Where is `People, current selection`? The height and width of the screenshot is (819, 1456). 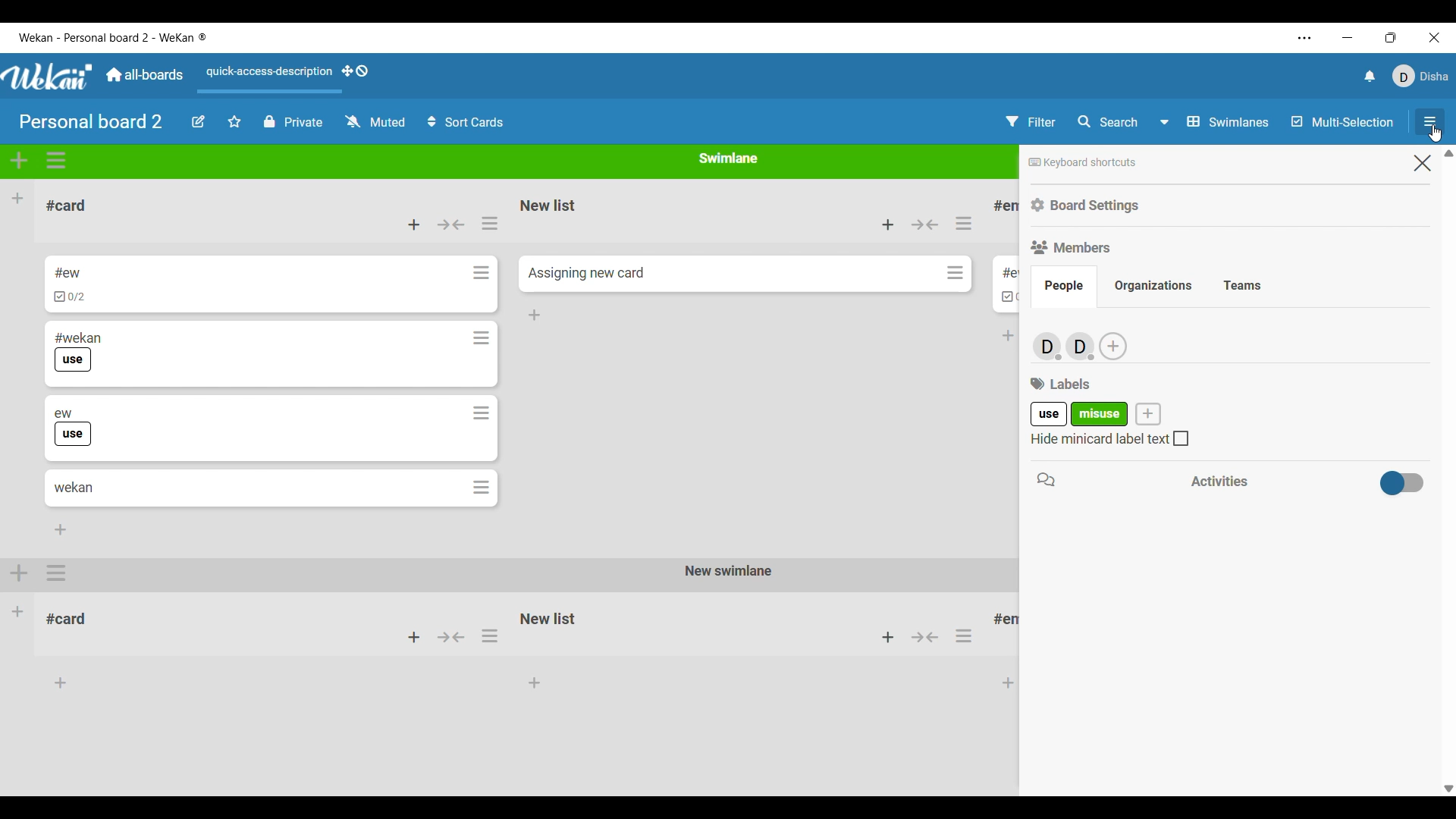
People, current selection is located at coordinates (1064, 287).